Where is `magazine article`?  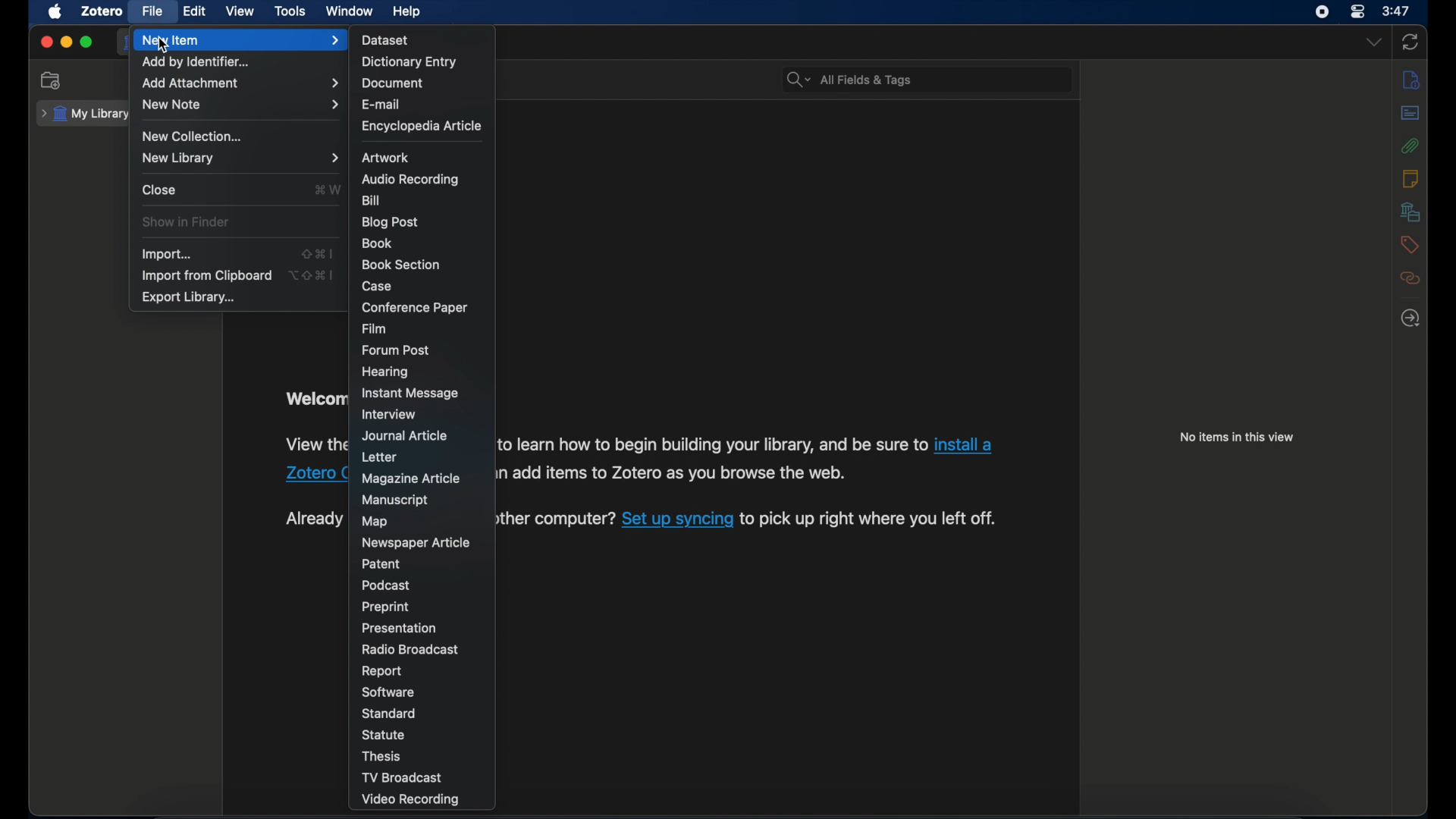
magazine article is located at coordinates (411, 479).